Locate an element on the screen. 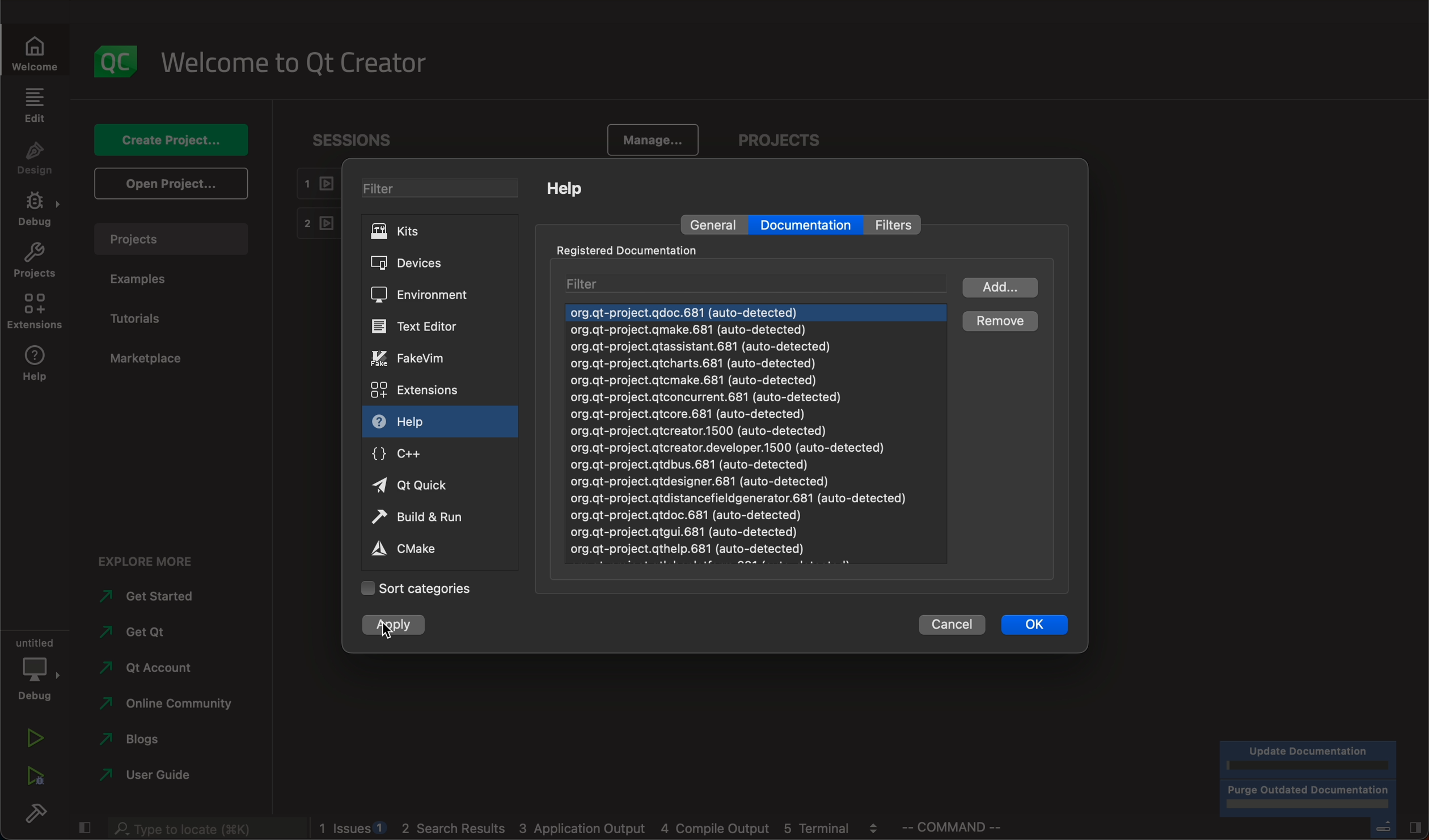  guide is located at coordinates (146, 775).